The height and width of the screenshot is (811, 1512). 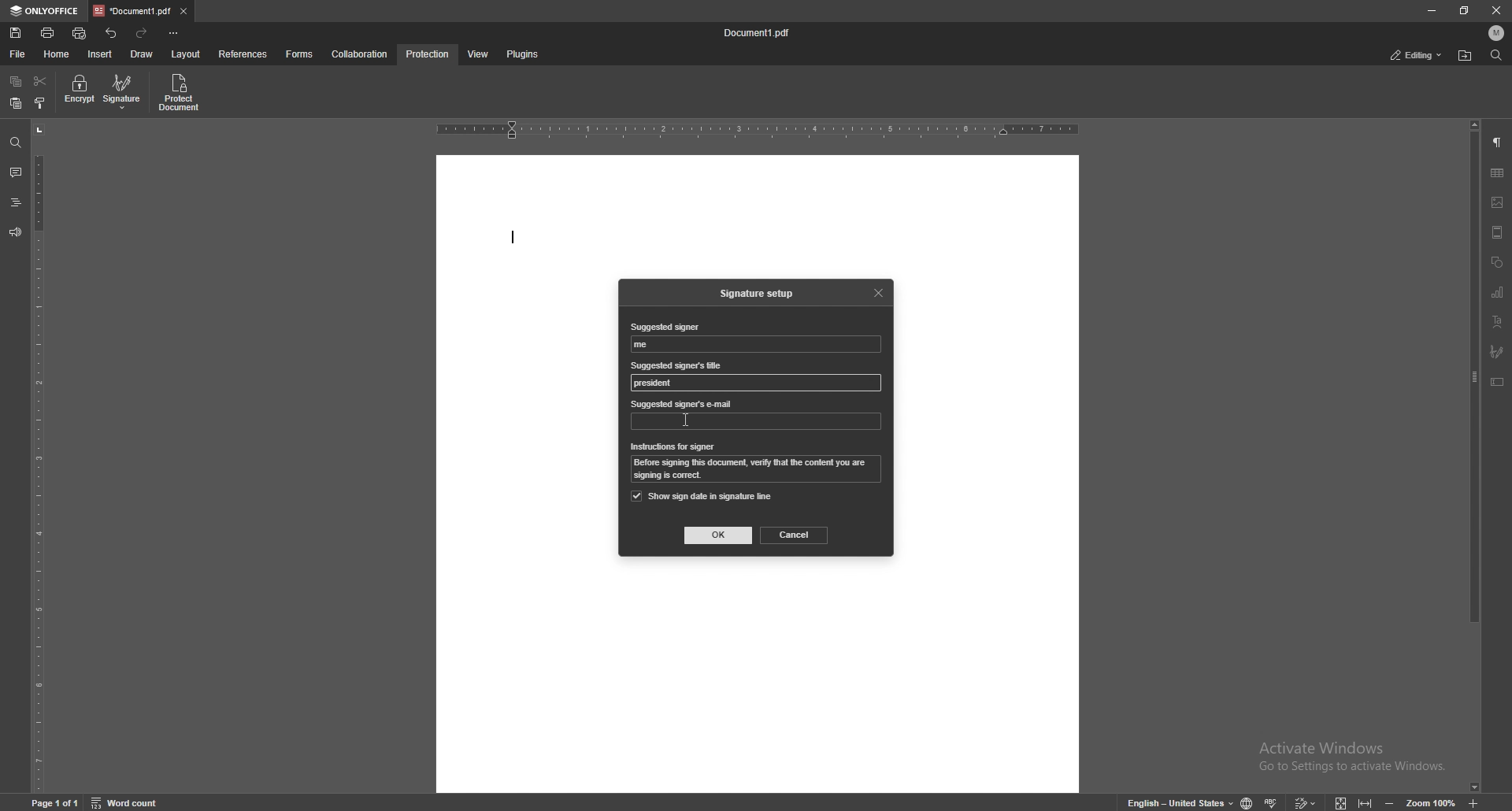 What do you see at coordinates (79, 91) in the screenshot?
I see `encrypt` at bounding box center [79, 91].